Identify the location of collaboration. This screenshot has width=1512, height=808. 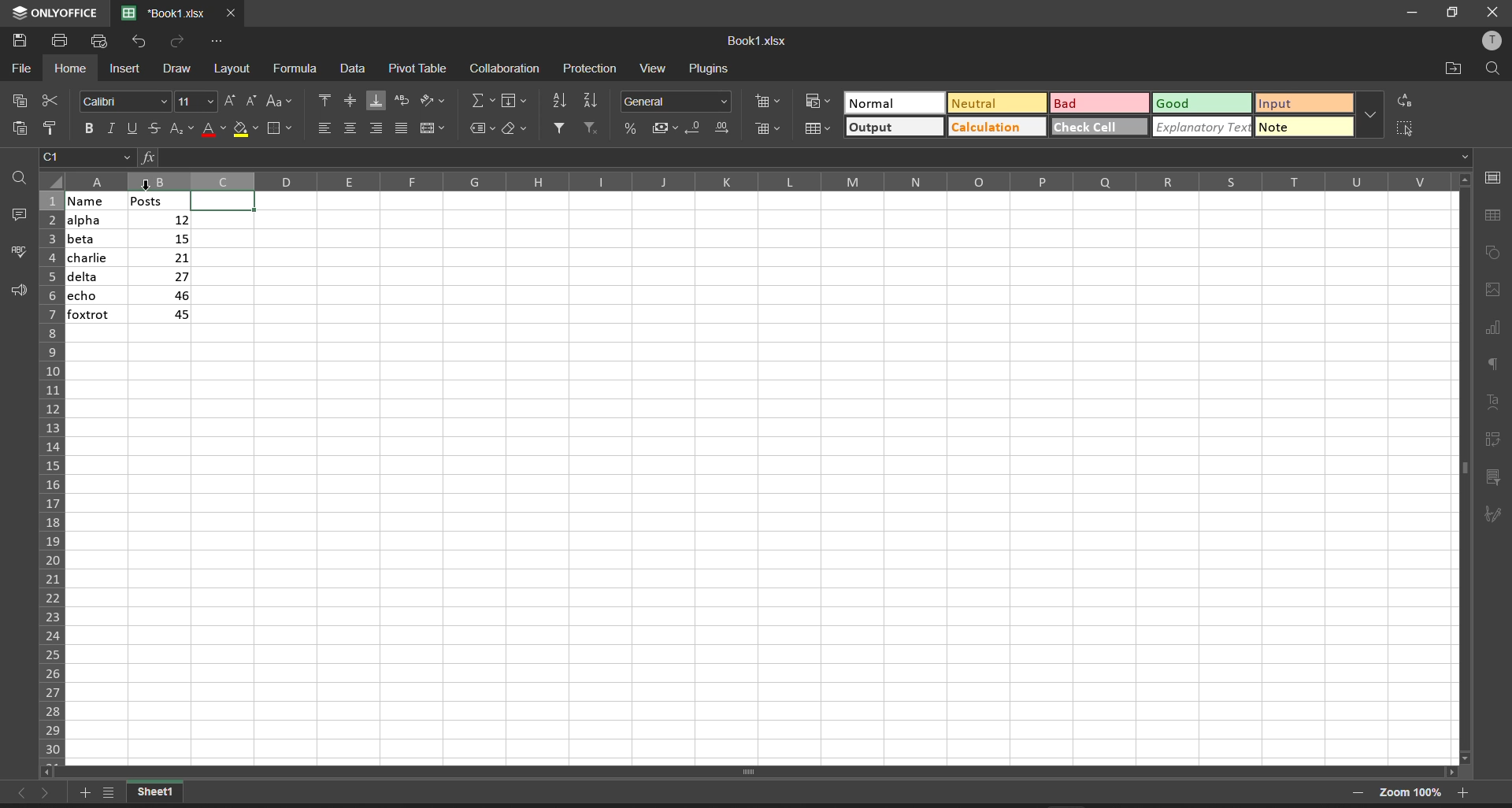
(506, 69).